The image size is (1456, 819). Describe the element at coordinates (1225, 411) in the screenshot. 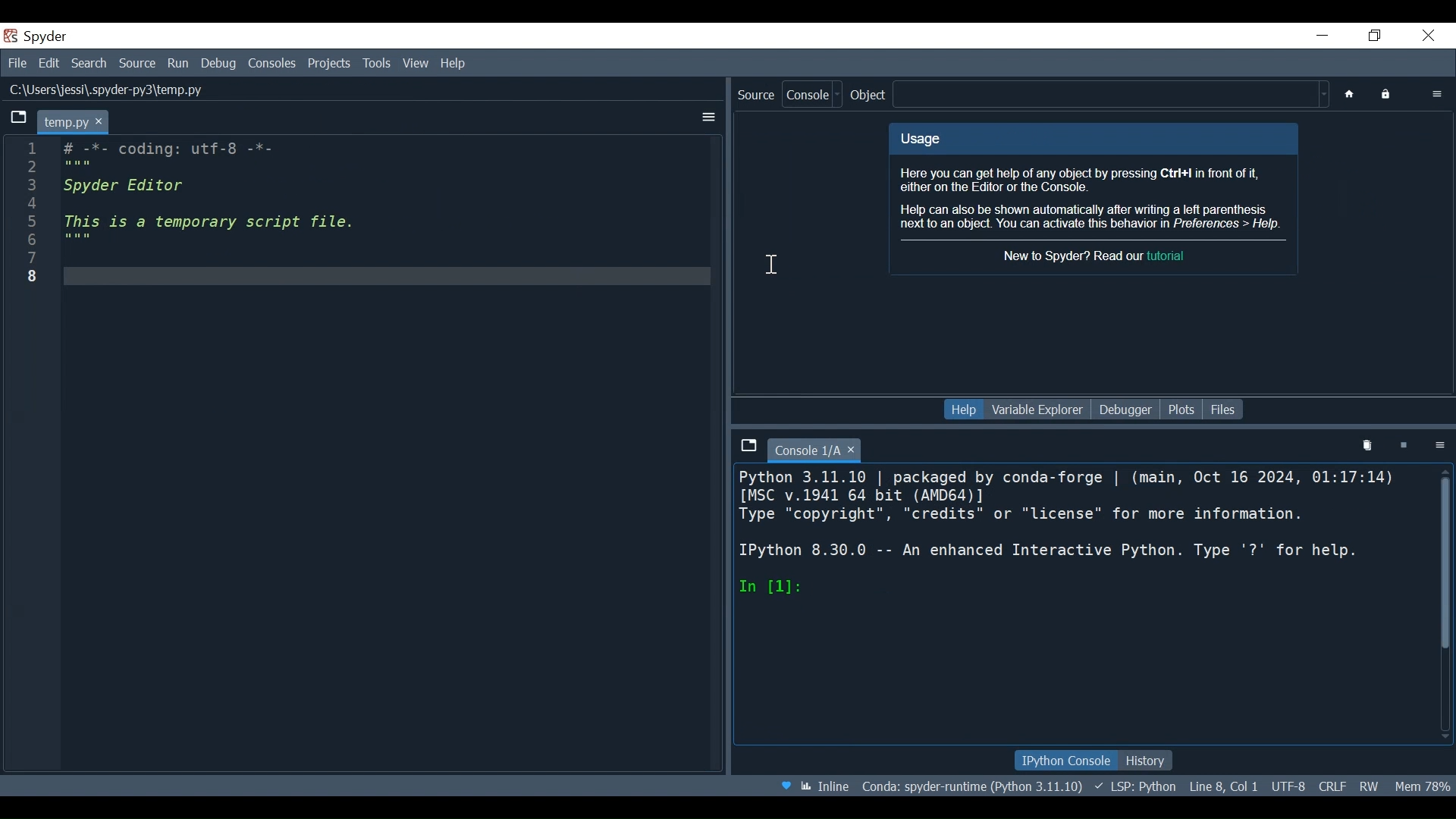

I see `Files` at that location.